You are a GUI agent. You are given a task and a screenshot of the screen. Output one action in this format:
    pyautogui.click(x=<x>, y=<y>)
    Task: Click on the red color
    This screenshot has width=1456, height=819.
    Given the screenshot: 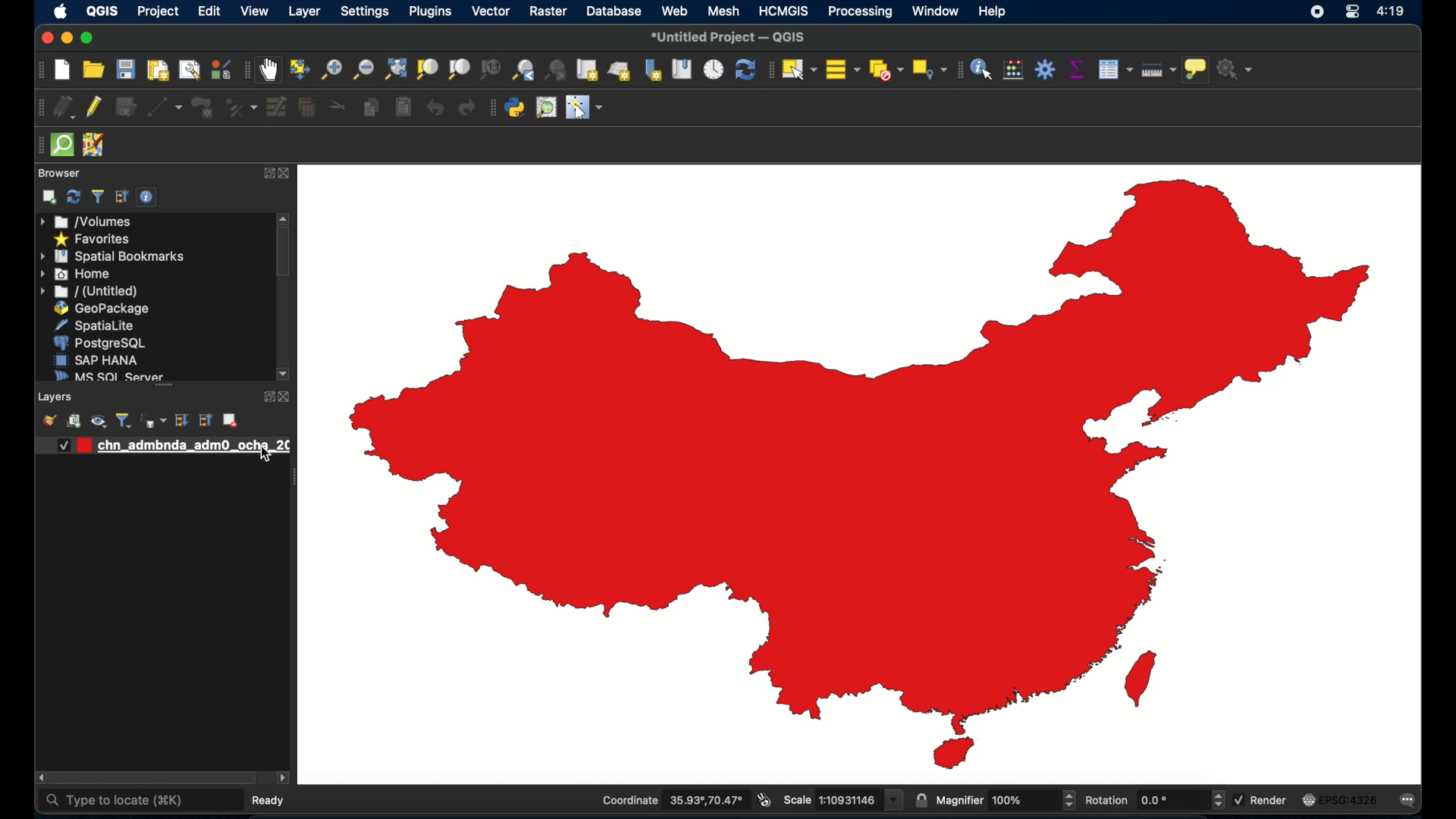 What is the action you would take?
    pyautogui.click(x=83, y=445)
    